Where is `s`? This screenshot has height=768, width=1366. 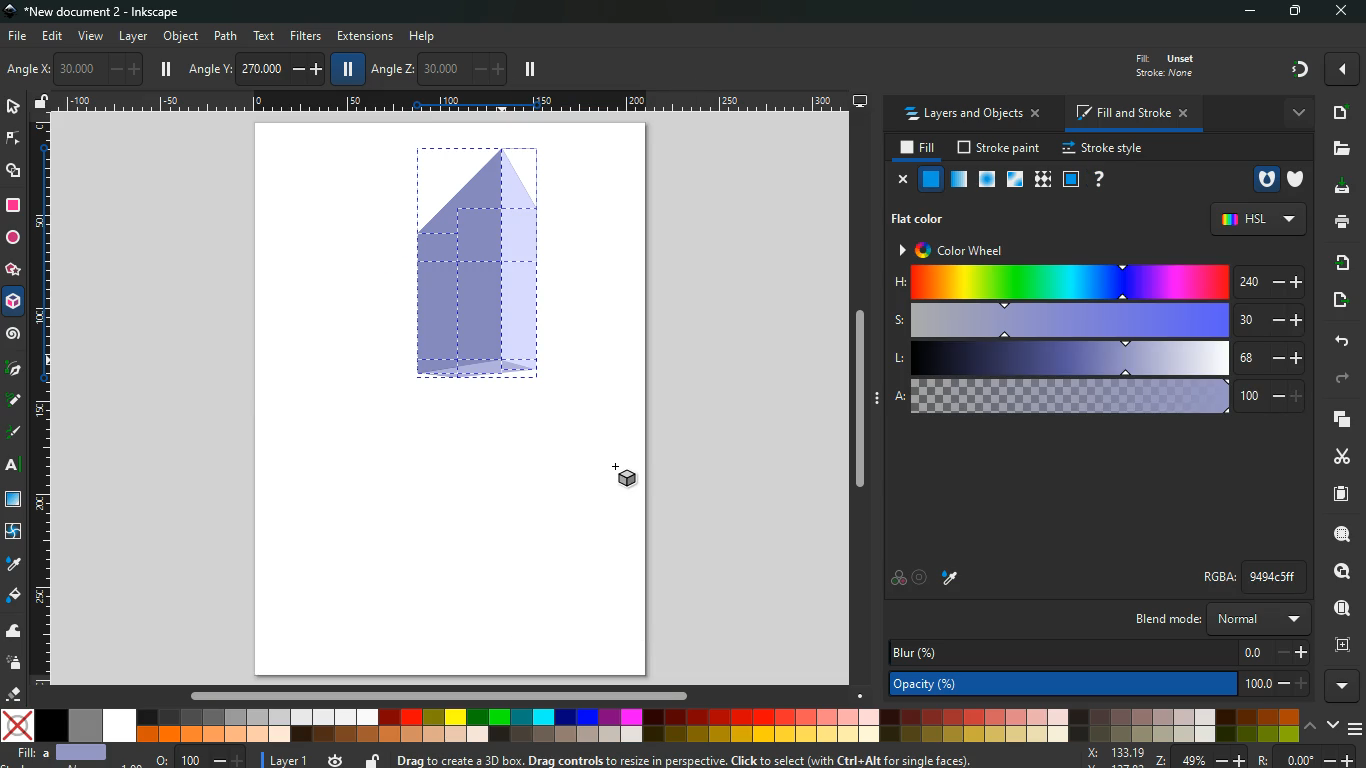
s is located at coordinates (1099, 320).